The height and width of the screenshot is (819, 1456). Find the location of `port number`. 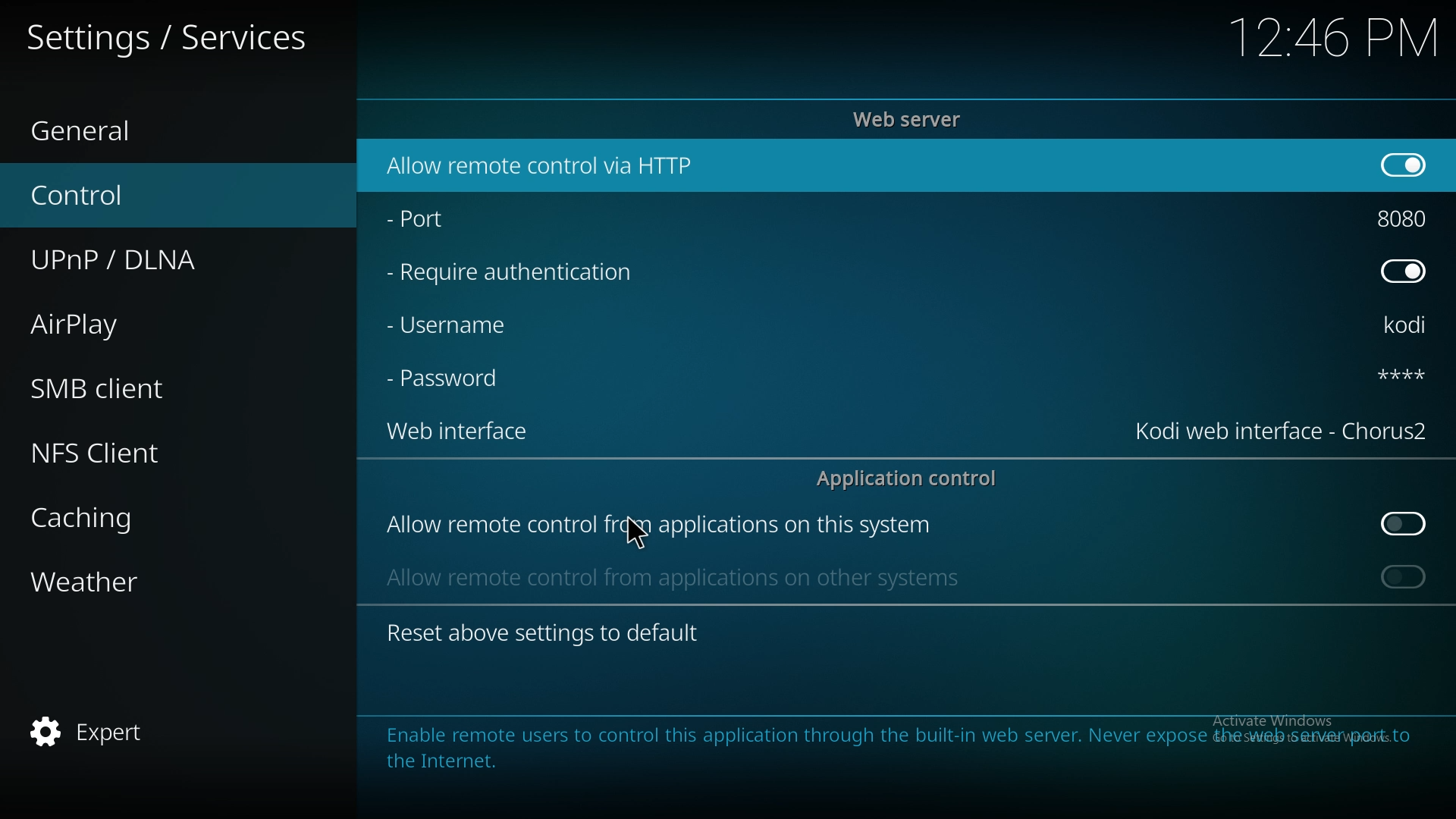

port number is located at coordinates (1406, 215).